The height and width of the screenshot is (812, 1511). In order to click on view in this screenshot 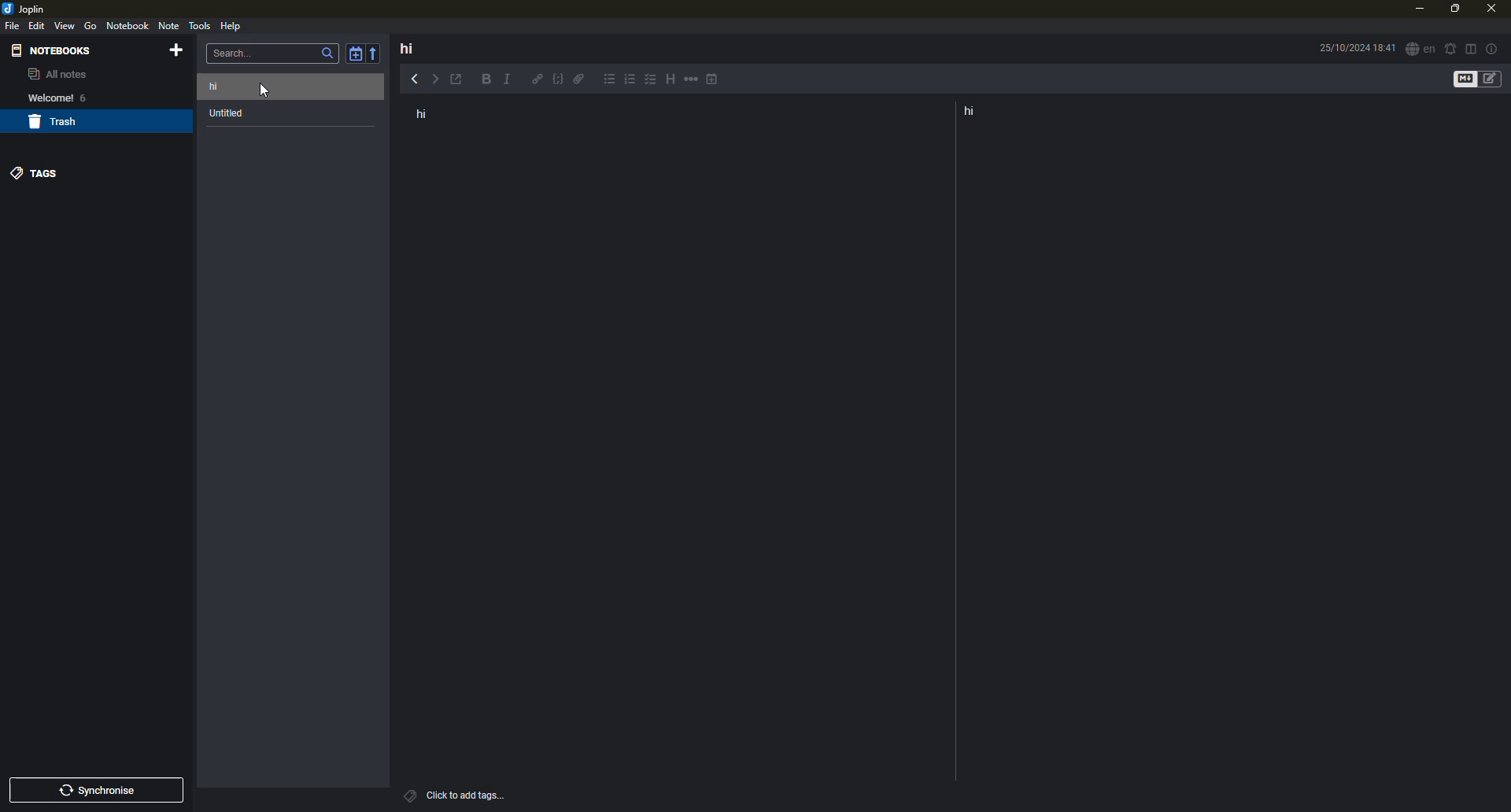, I will do `click(65, 25)`.